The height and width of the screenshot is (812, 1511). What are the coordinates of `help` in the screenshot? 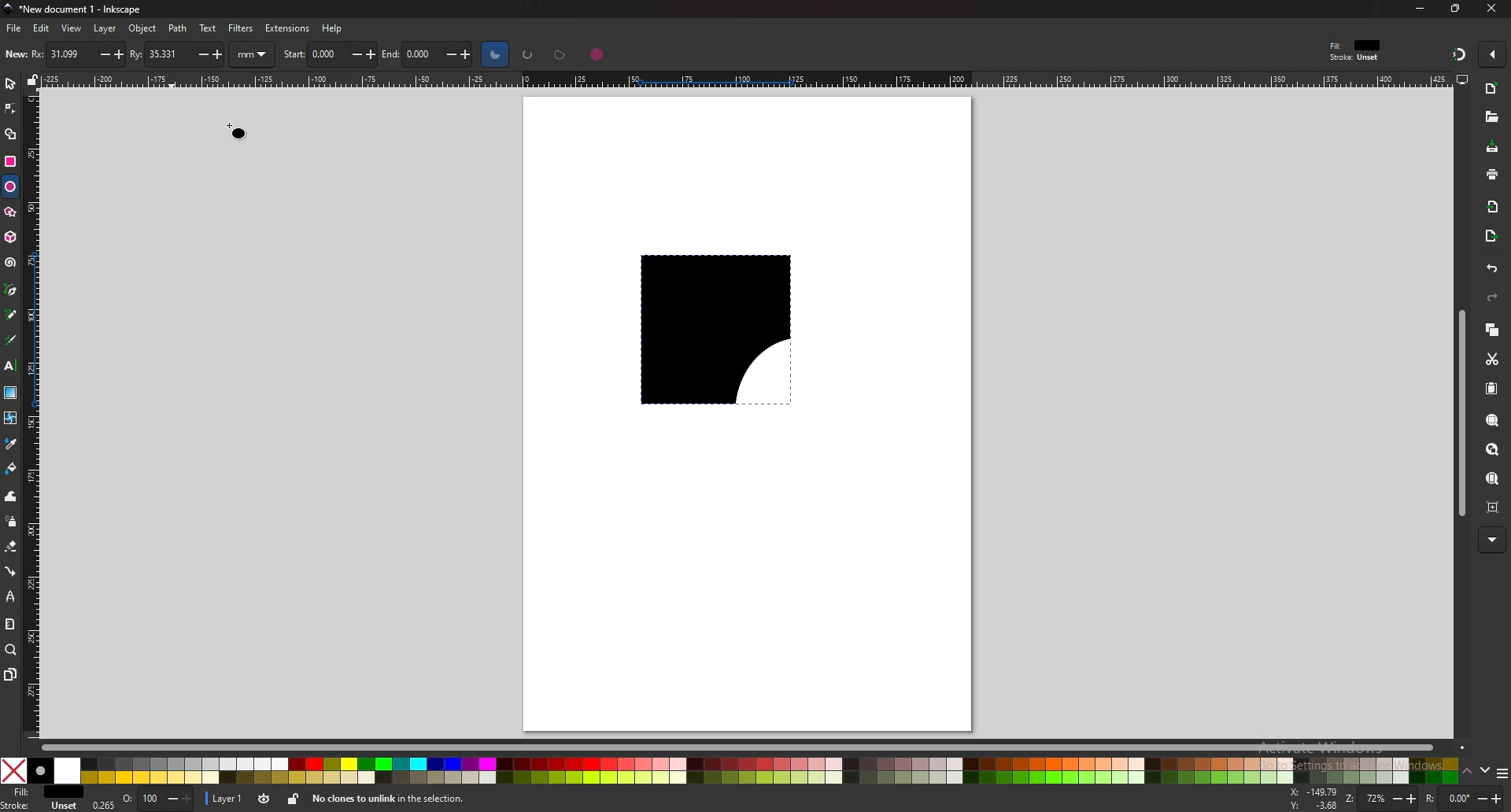 It's located at (331, 28).